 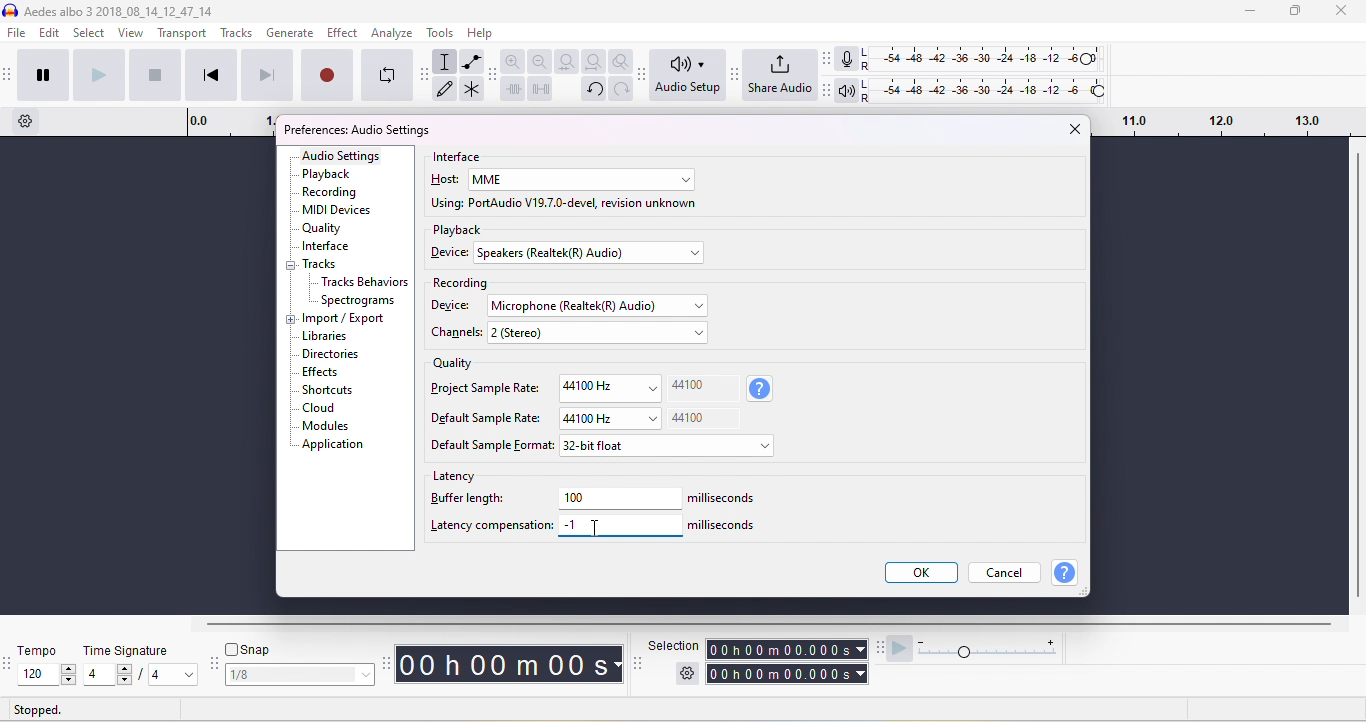 What do you see at coordinates (326, 336) in the screenshot?
I see `libraries` at bounding box center [326, 336].